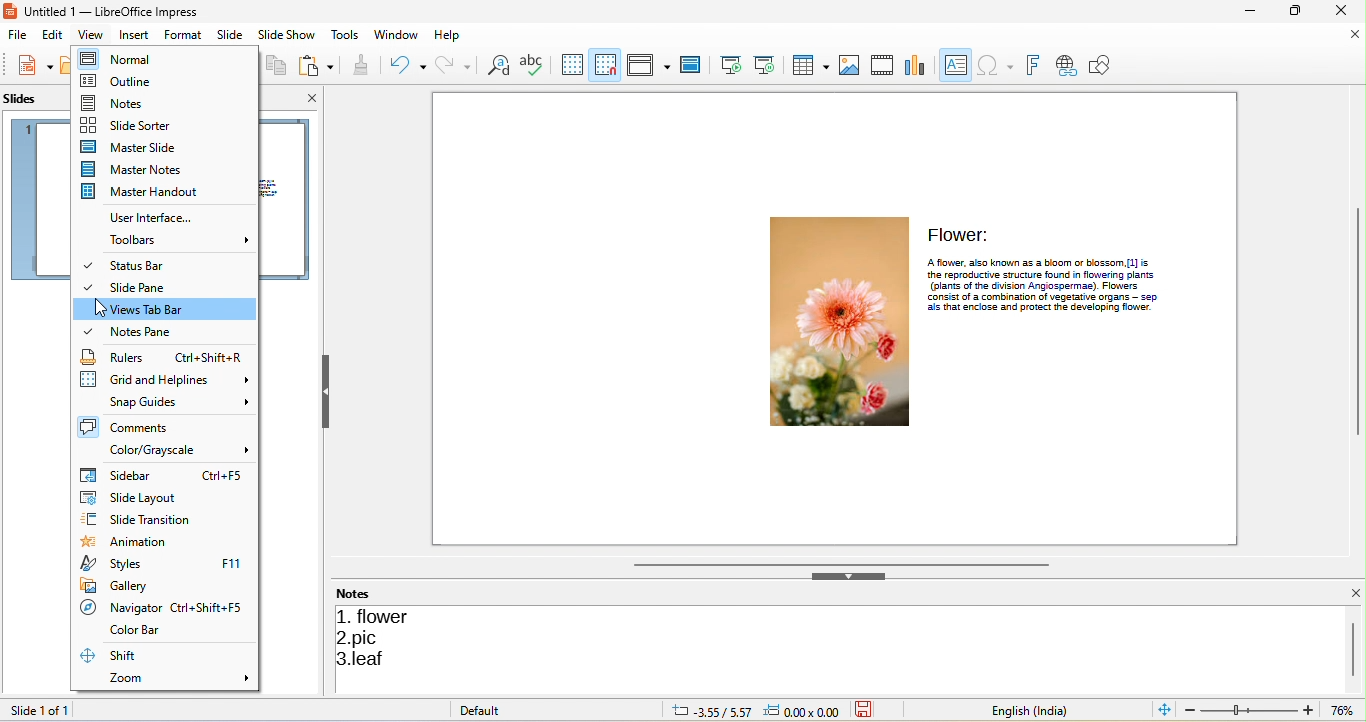  What do you see at coordinates (649, 63) in the screenshot?
I see `display view` at bounding box center [649, 63].